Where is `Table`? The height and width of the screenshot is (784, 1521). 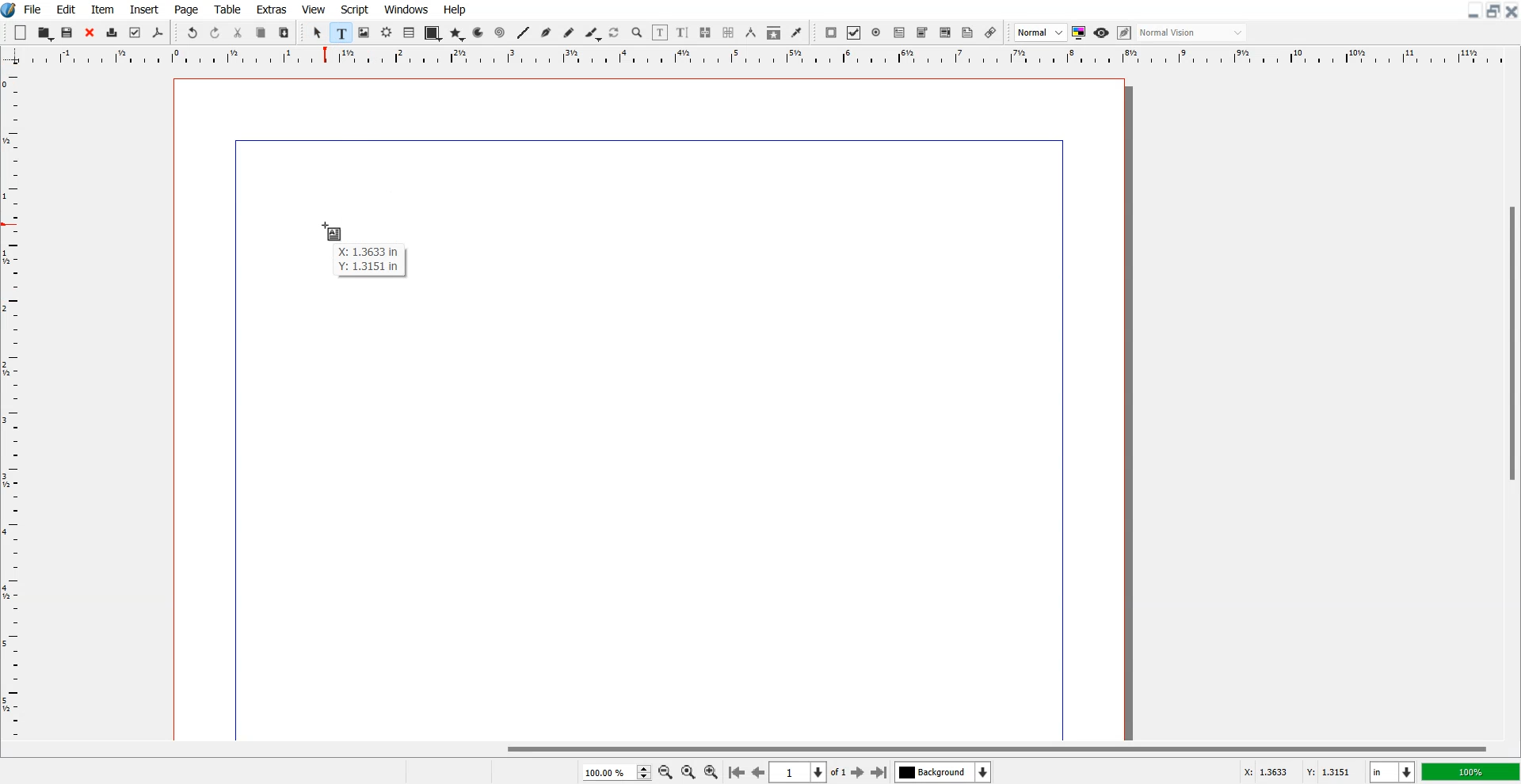 Table is located at coordinates (228, 9).